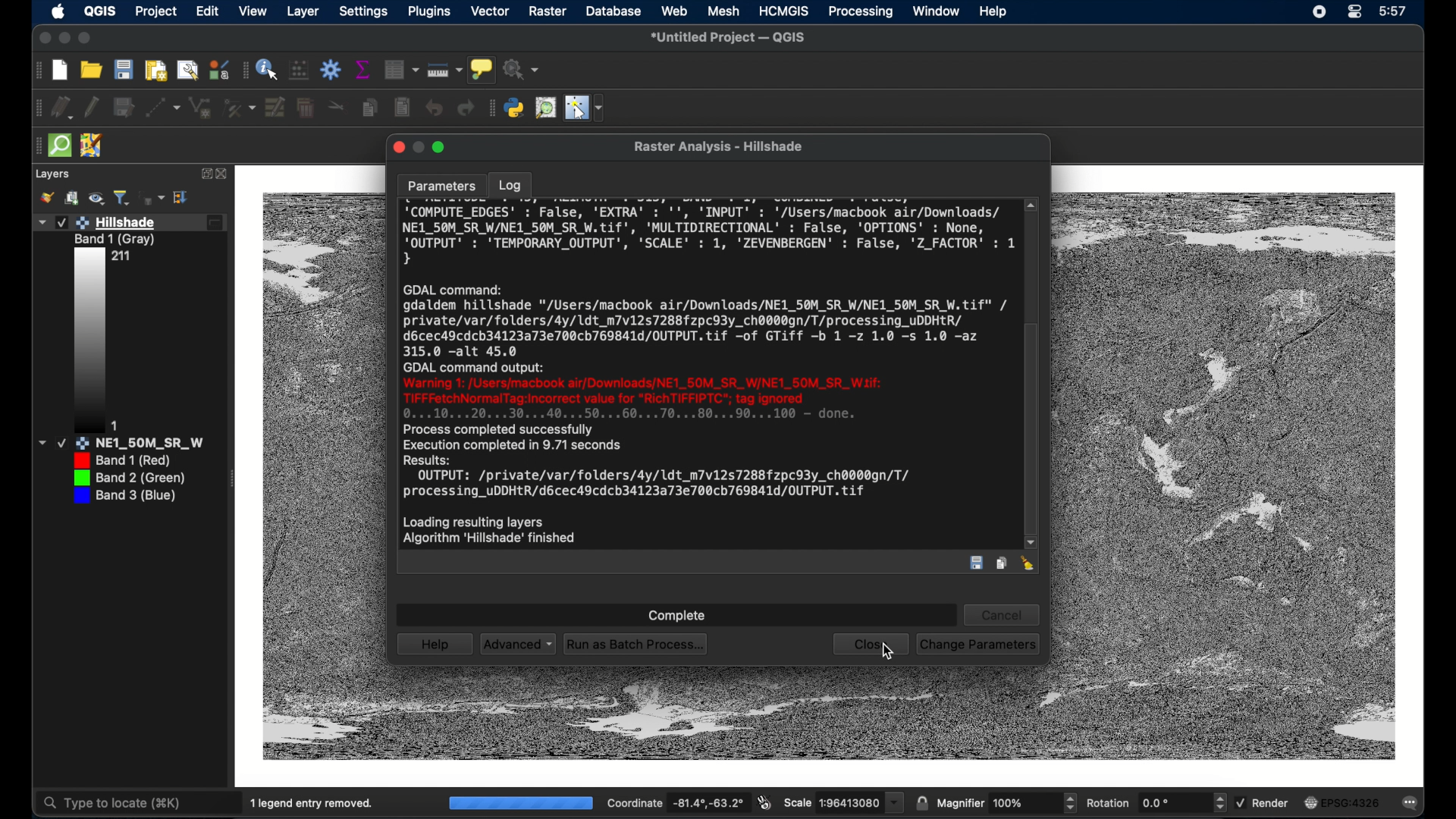 This screenshot has width=1456, height=819. What do you see at coordinates (59, 11) in the screenshot?
I see `apple icon` at bounding box center [59, 11].